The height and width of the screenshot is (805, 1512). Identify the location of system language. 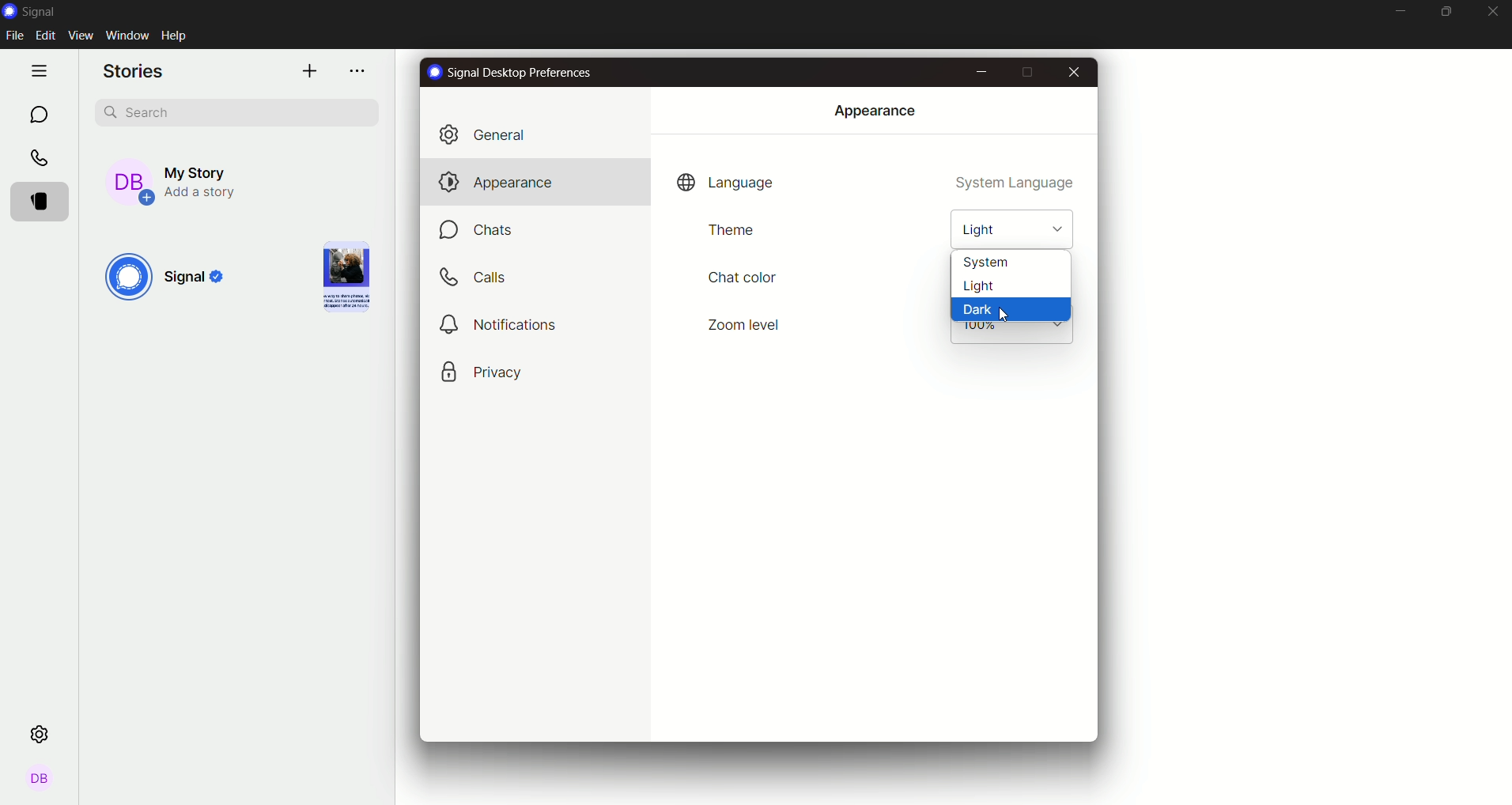
(1017, 184).